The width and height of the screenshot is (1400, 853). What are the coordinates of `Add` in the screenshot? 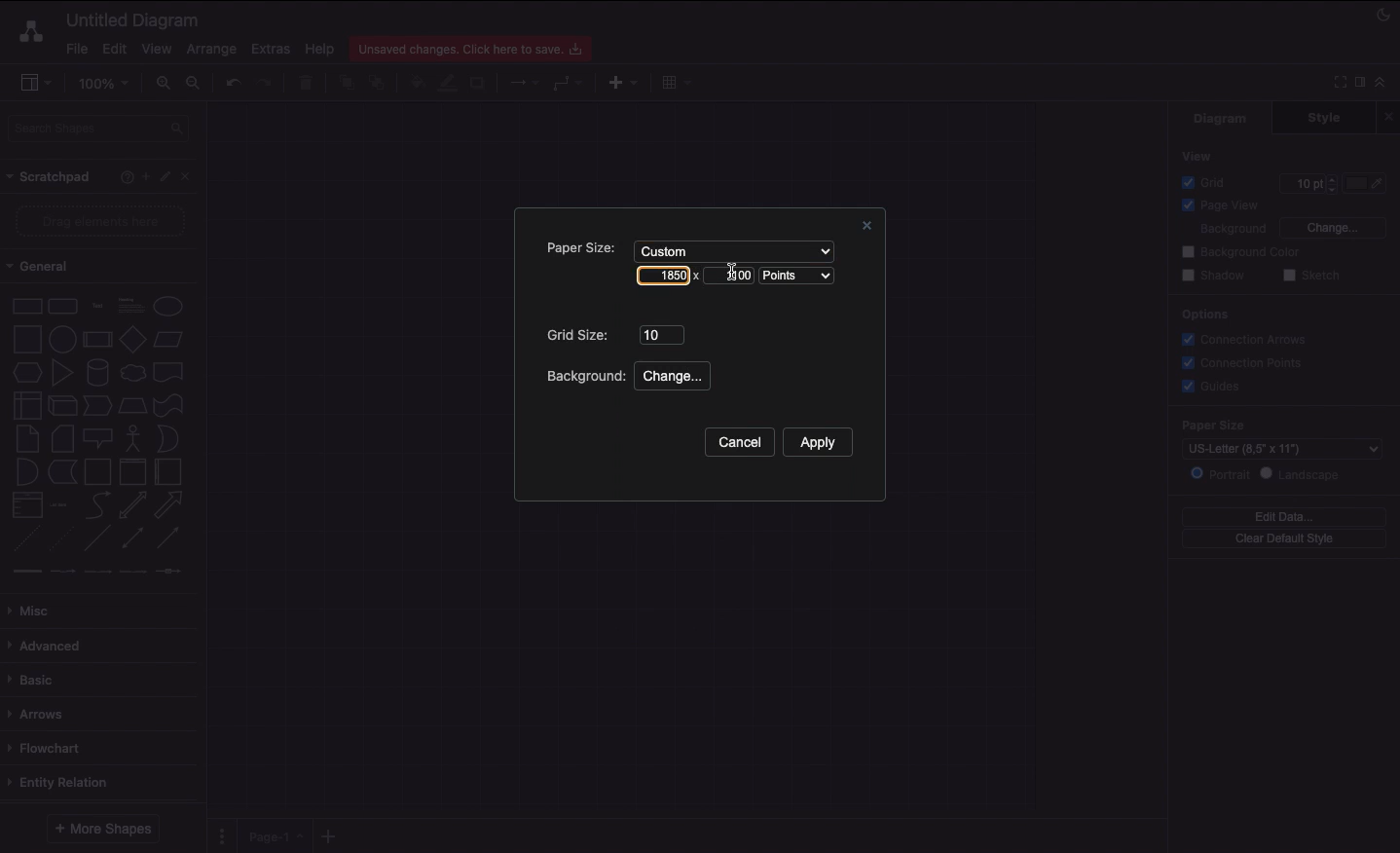 It's located at (145, 175).